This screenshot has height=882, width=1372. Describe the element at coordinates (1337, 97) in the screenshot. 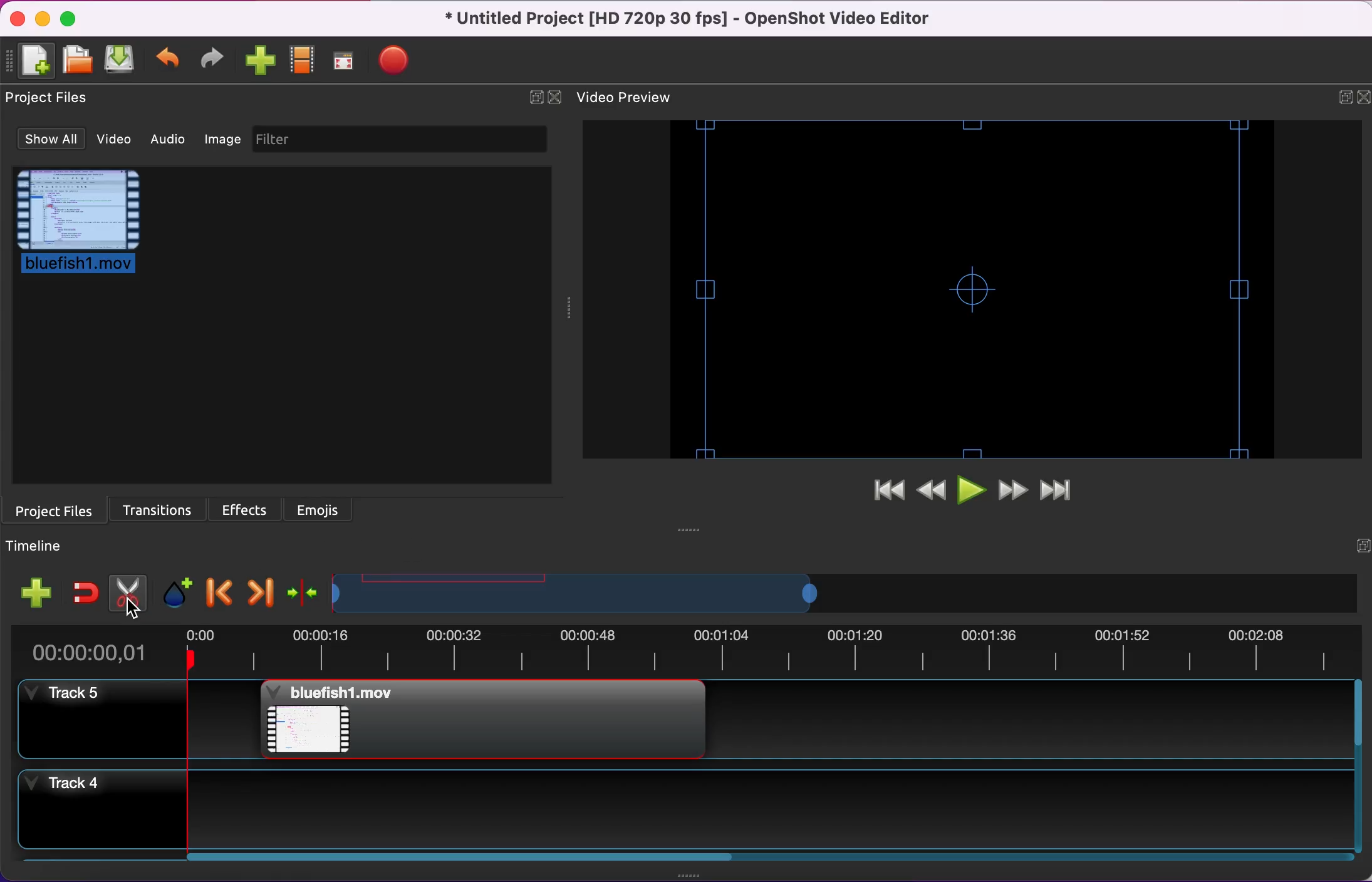

I see `expand/hide` at that location.